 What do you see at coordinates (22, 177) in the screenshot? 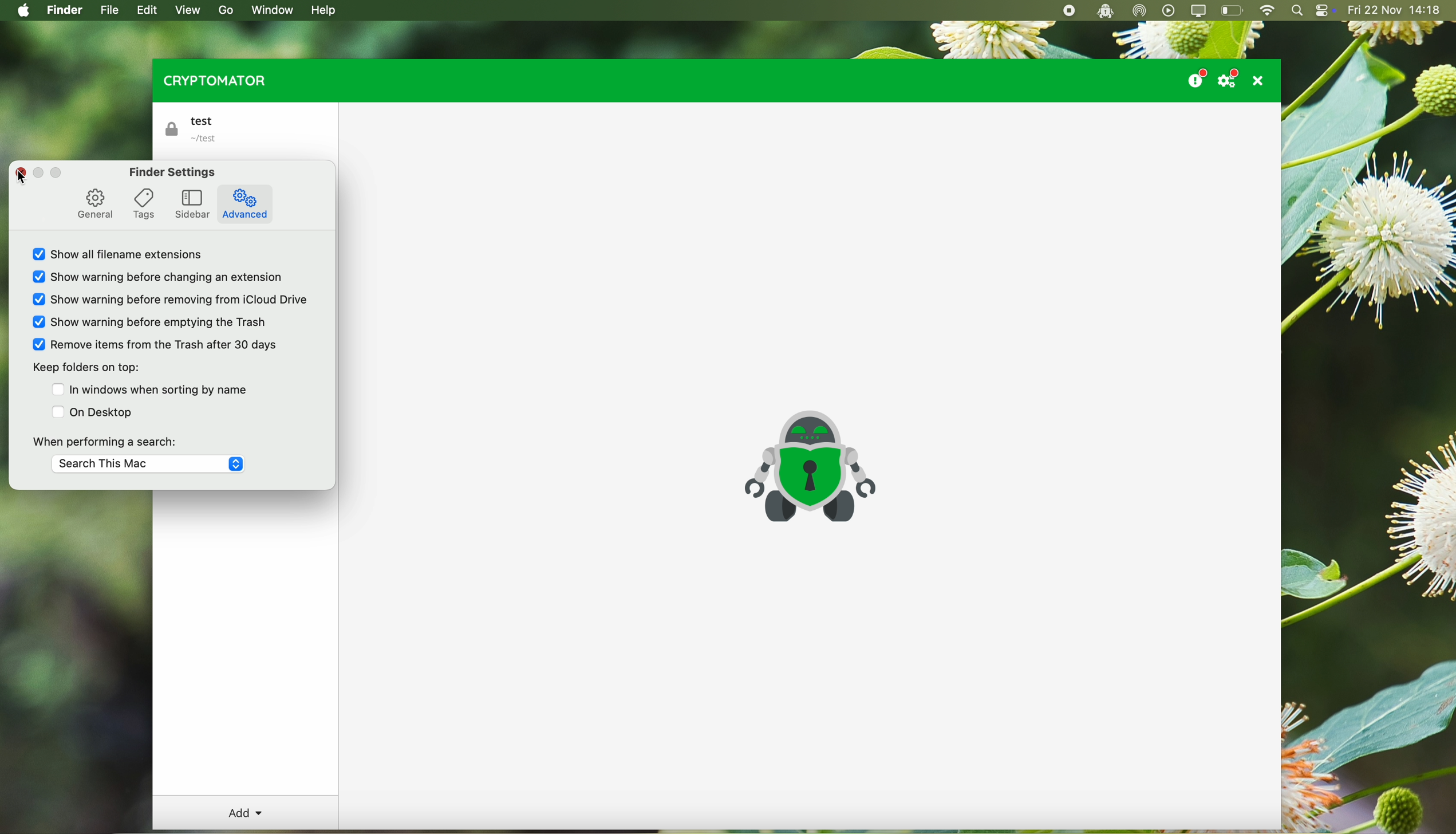
I see `cursor` at bounding box center [22, 177].